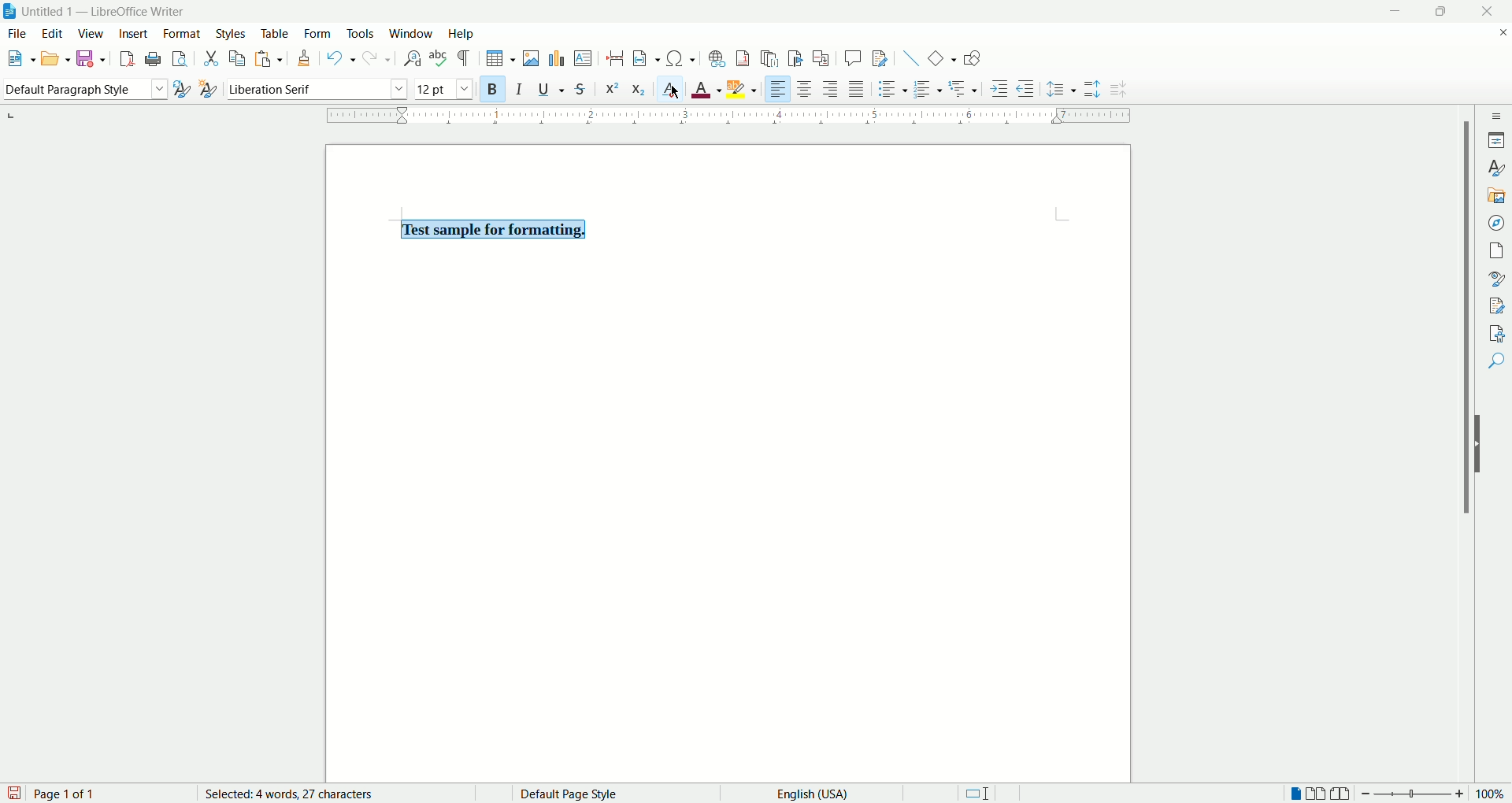 The image size is (1512, 803). I want to click on unordered list, so click(893, 90).